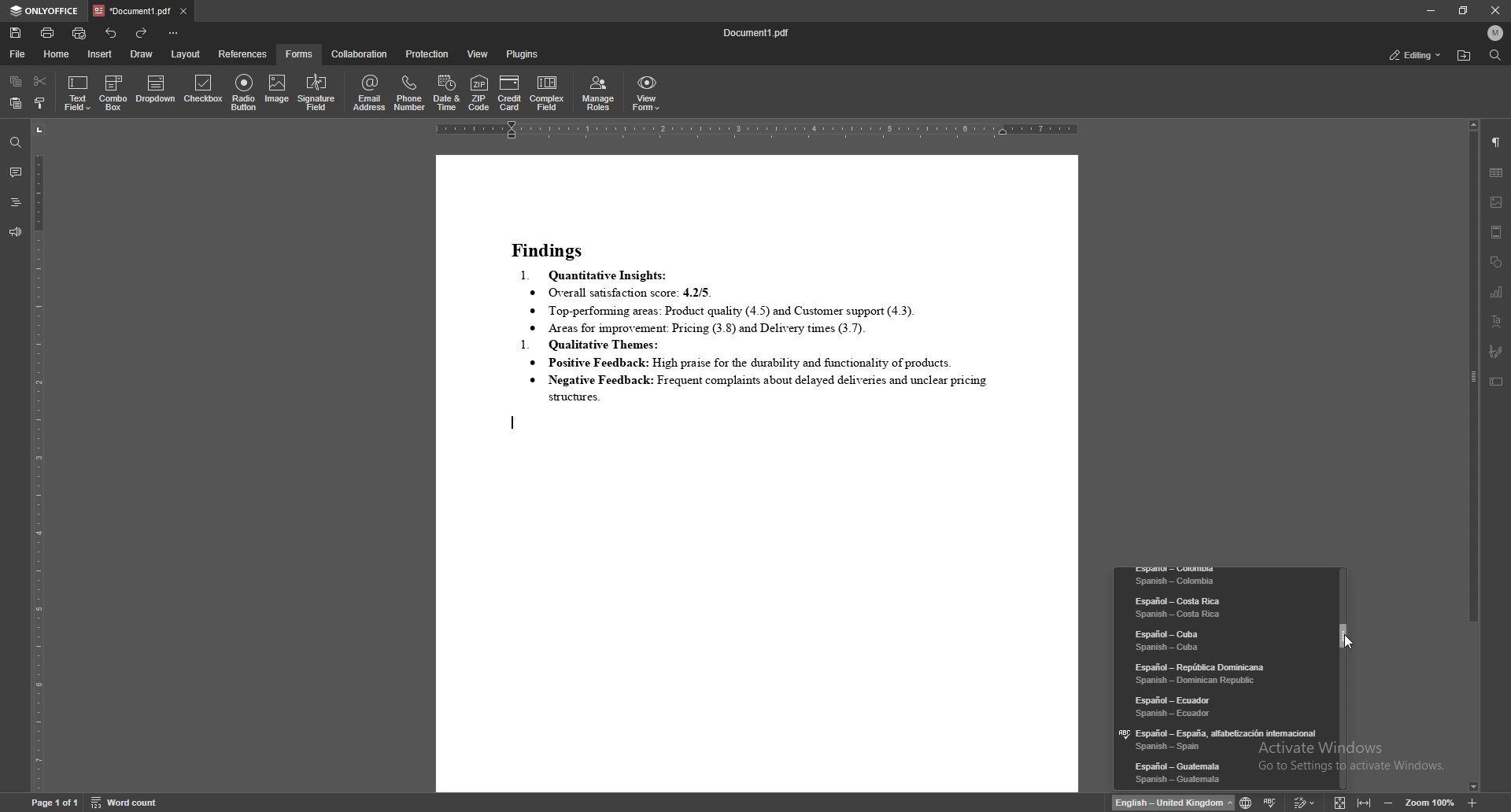  I want to click on home, so click(57, 55).